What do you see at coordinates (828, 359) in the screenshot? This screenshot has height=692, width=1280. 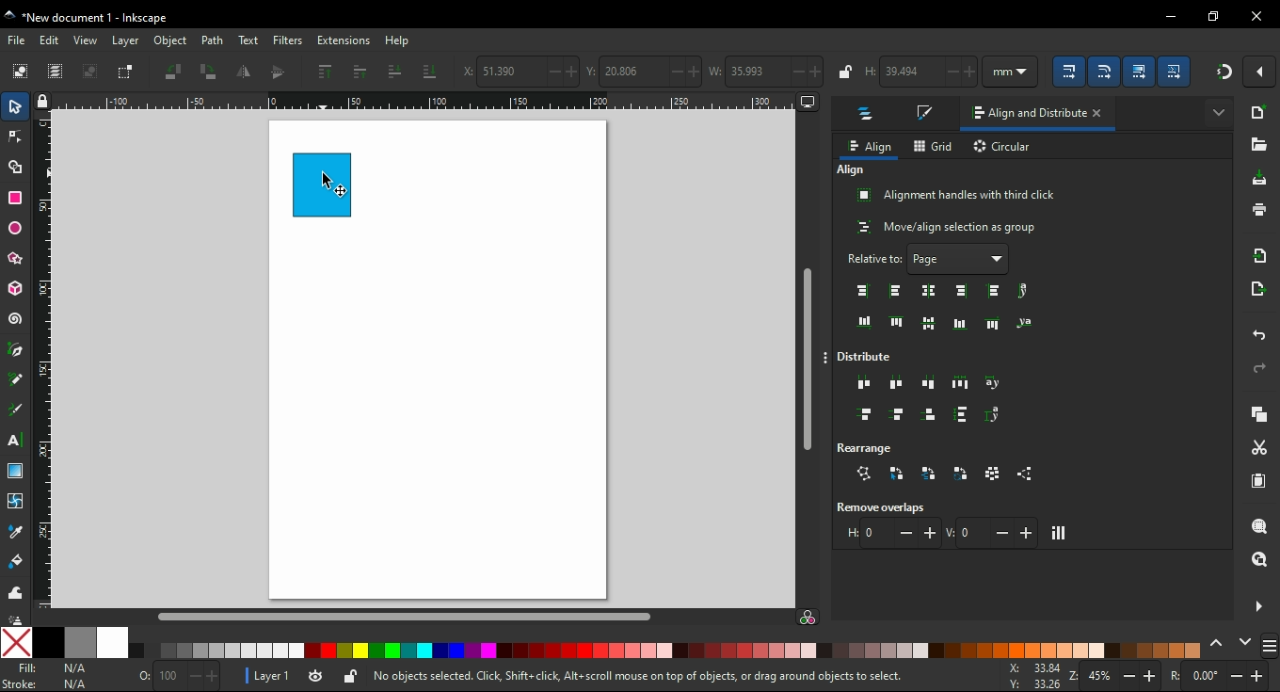 I see `options` at bounding box center [828, 359].